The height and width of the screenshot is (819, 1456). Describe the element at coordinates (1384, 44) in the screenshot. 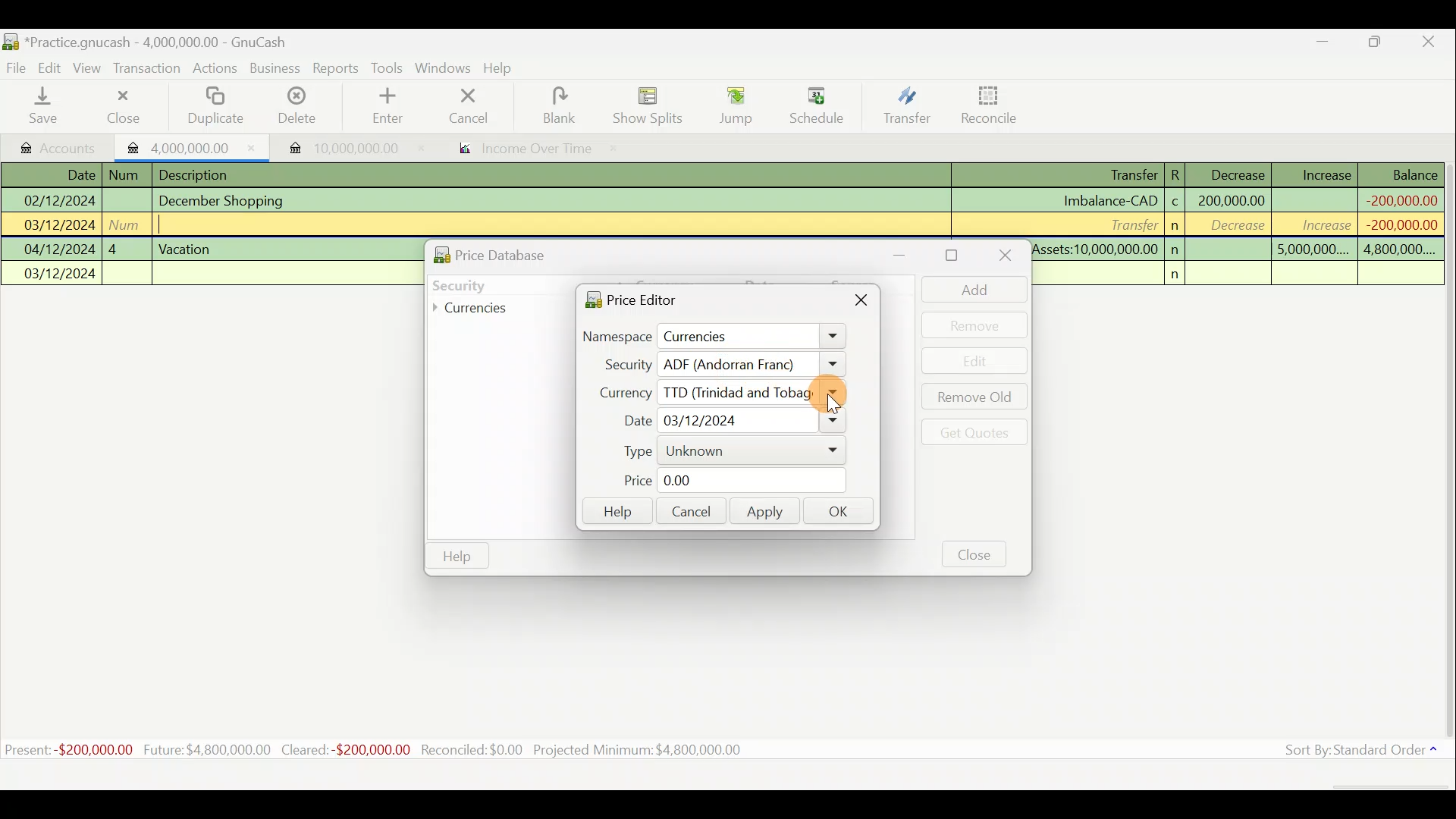

I see `Maximise` at that location.